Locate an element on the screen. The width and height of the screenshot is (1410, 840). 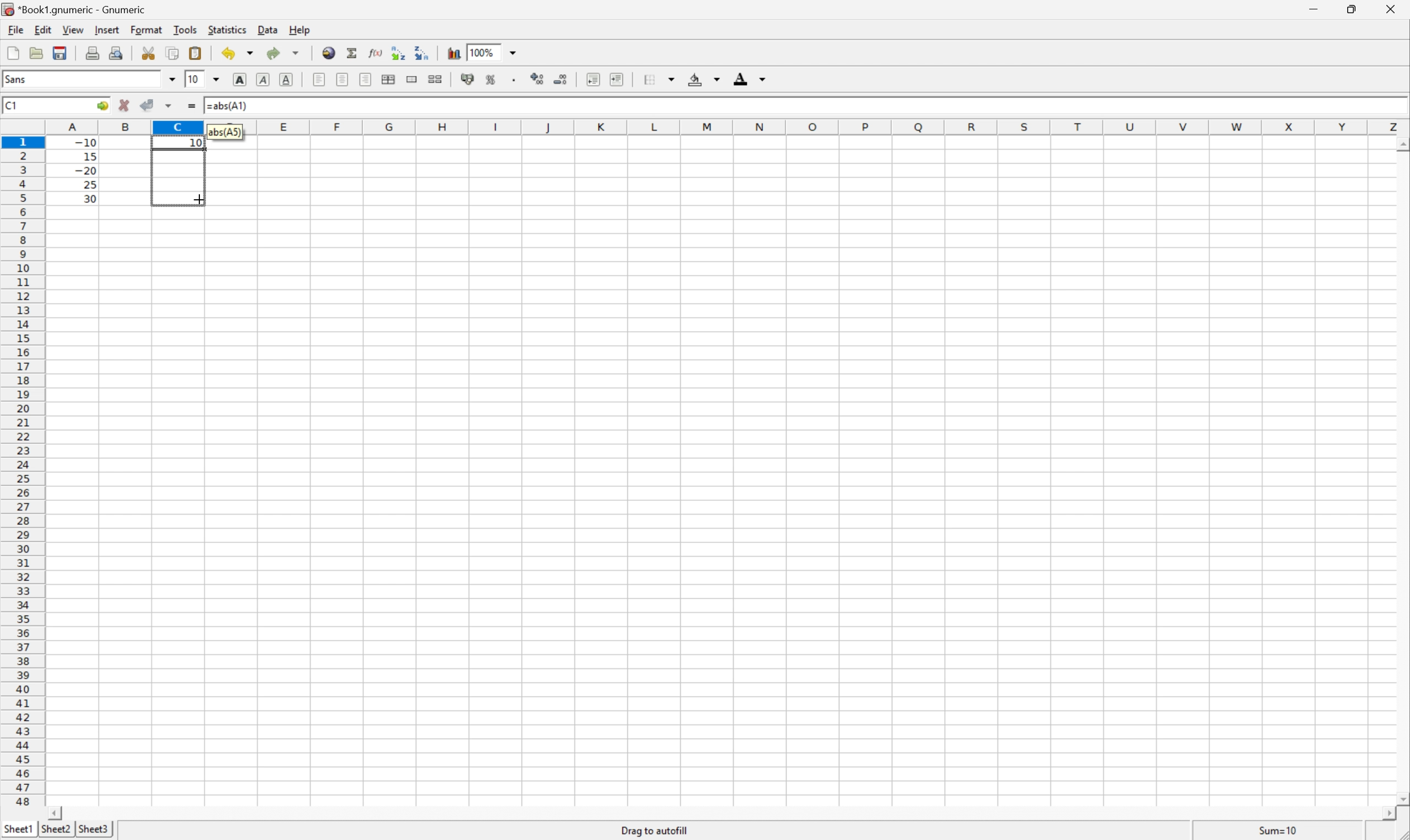
Insert chart is located at coordinates (454, 52).